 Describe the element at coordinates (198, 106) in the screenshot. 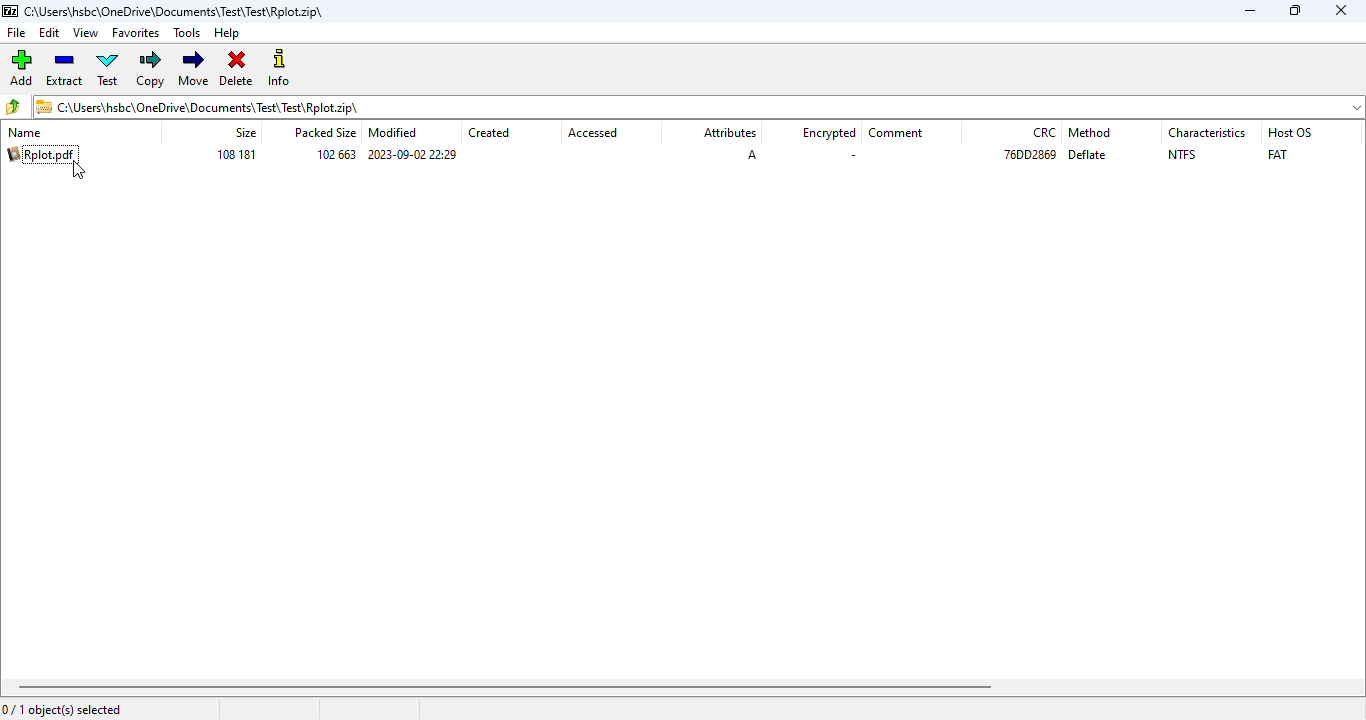

I see `C:\Users\hsbc\OneDrive\Documents\ Test\ Test\Rplot.zip\` at that location.